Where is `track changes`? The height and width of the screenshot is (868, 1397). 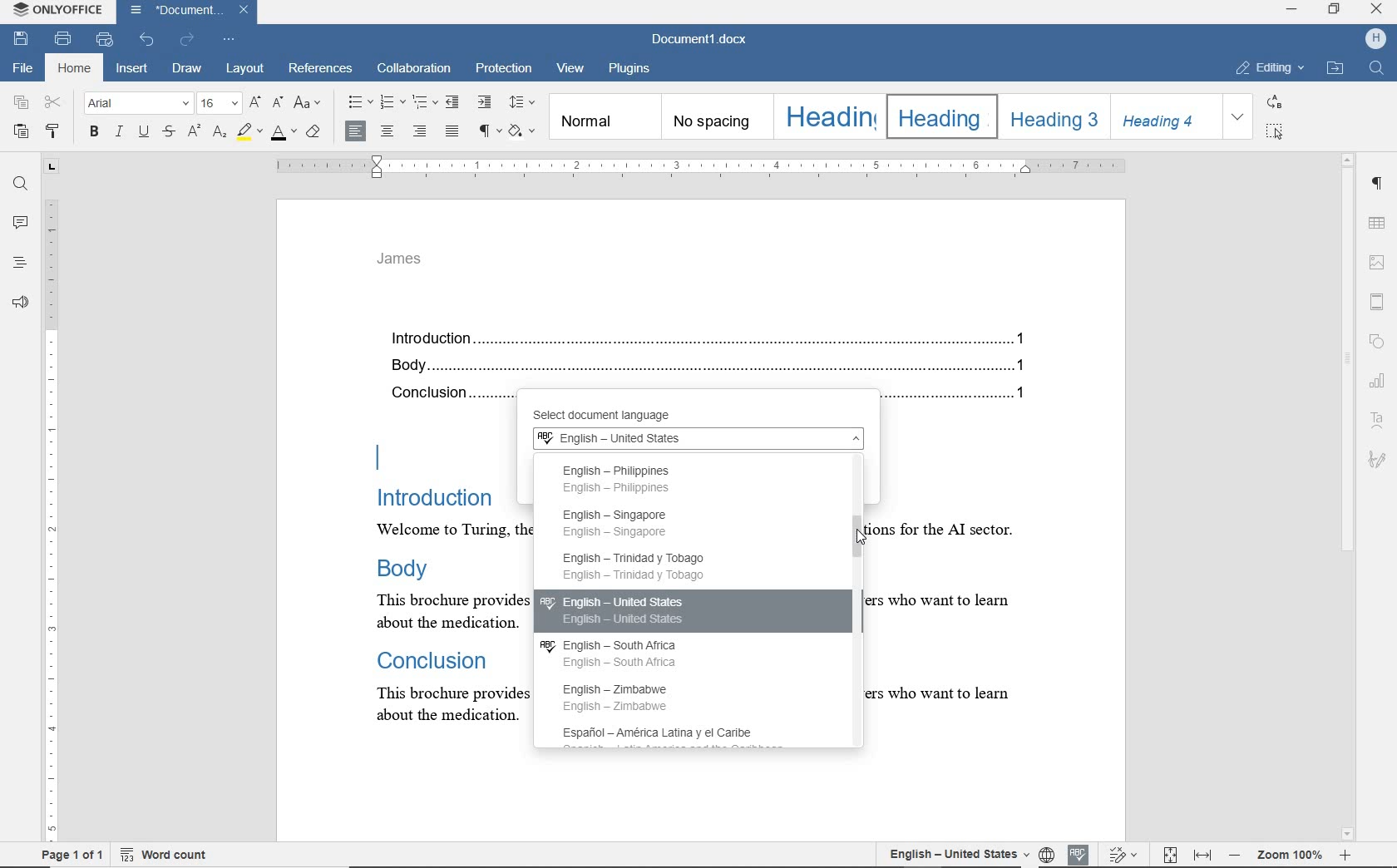
track changes is located at coordinates (1124, 855).